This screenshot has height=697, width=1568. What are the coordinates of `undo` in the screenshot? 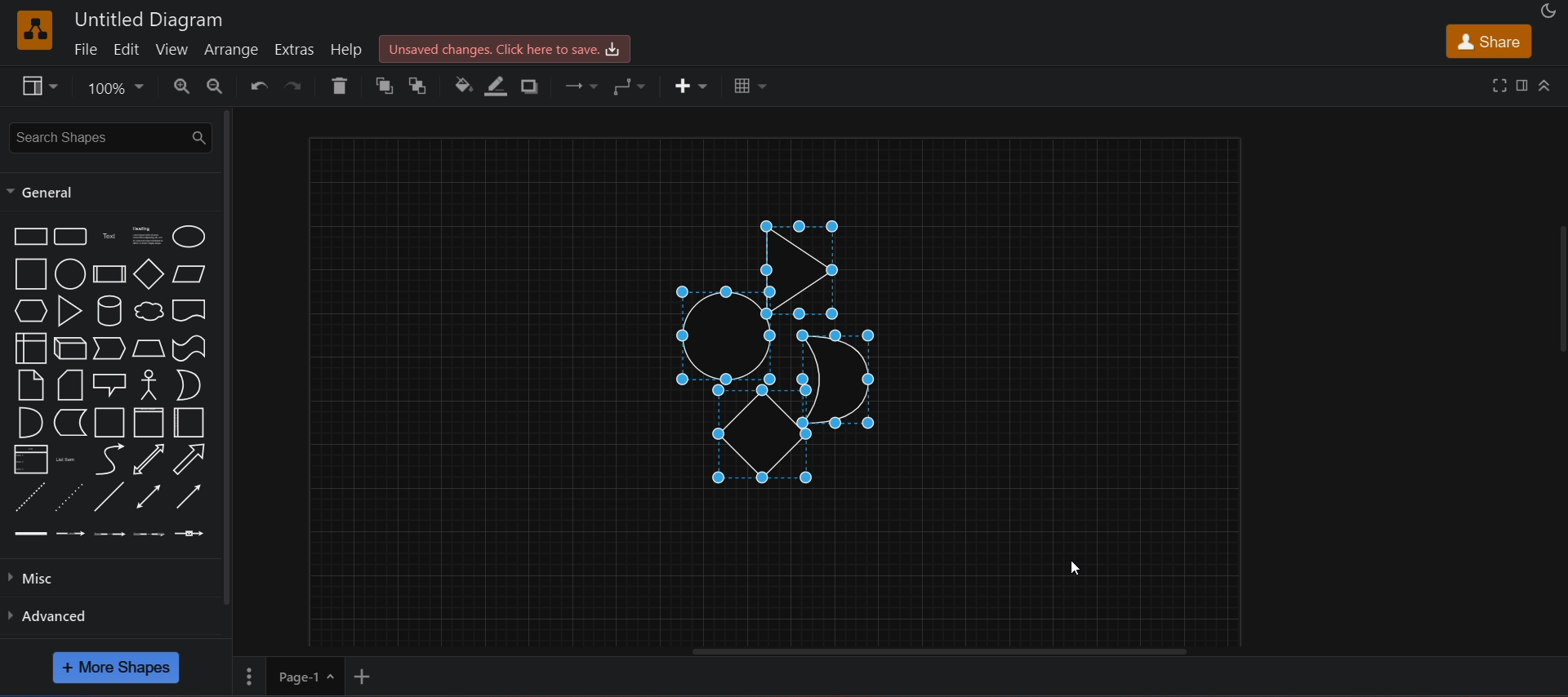 It's located at (260, 87).